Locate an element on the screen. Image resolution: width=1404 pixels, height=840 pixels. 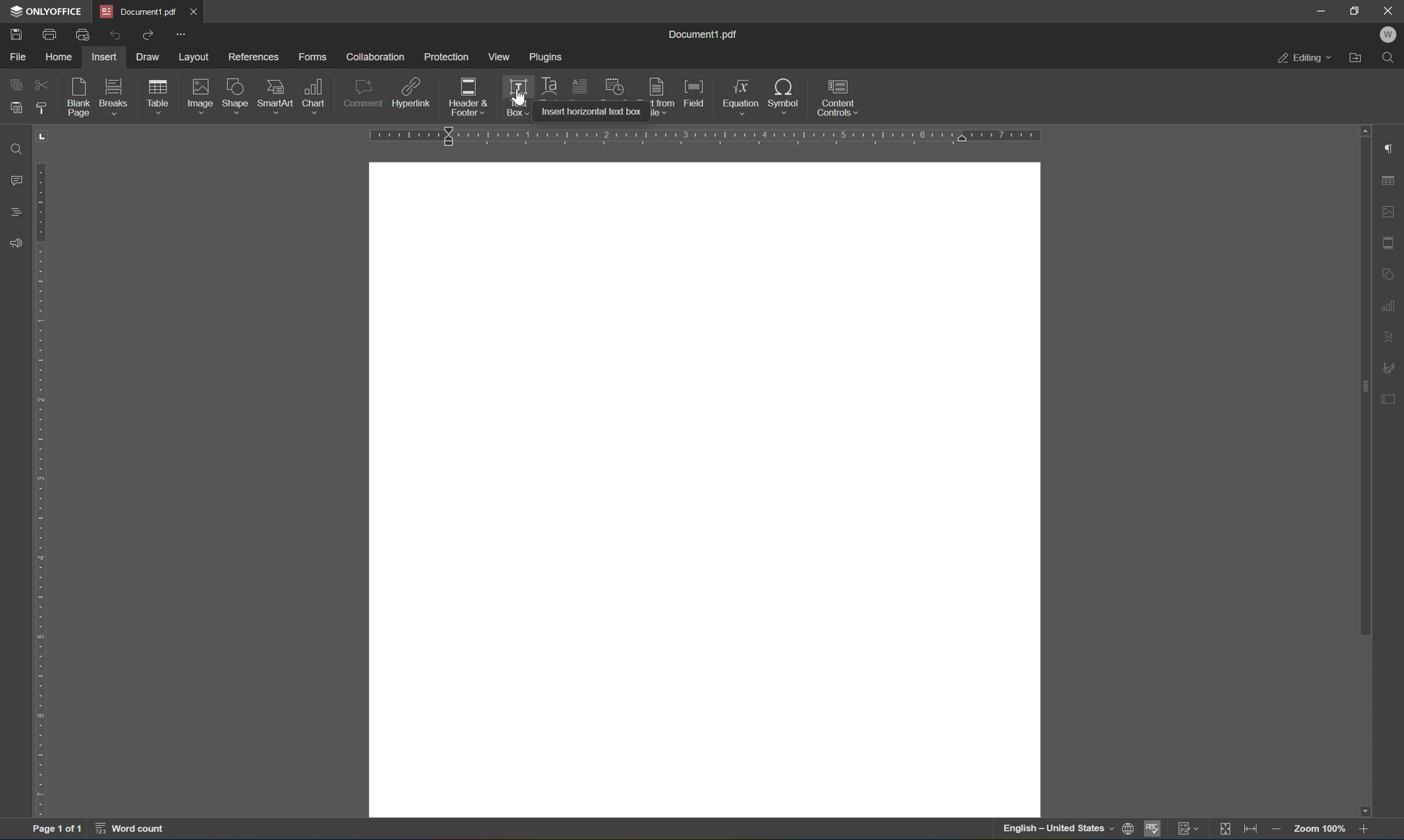
english - united states is located at coordinates (1059, 830).